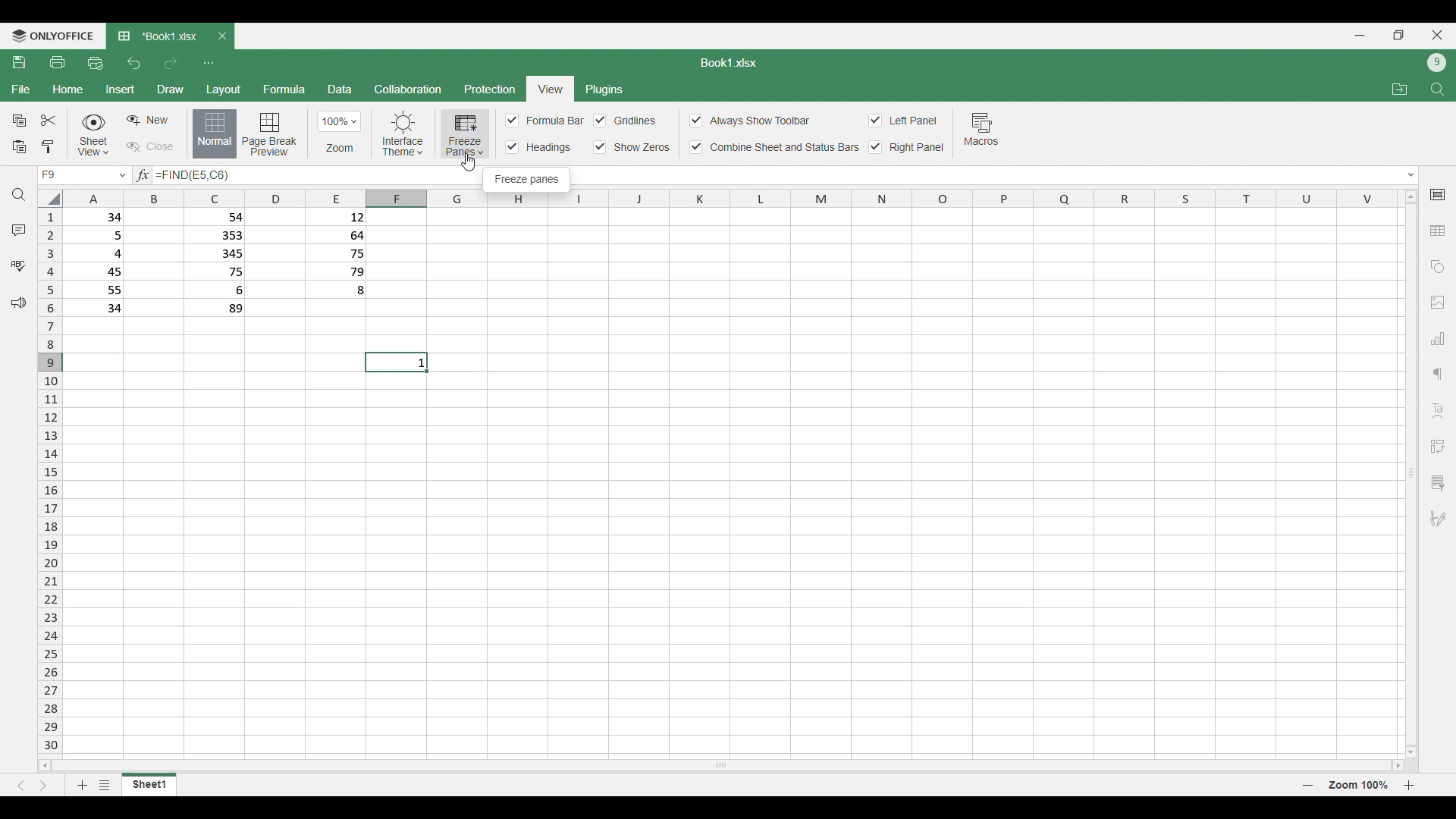  Describe the element at coordinates (1412, 196) in the screenshot. I see `move up` at that location.